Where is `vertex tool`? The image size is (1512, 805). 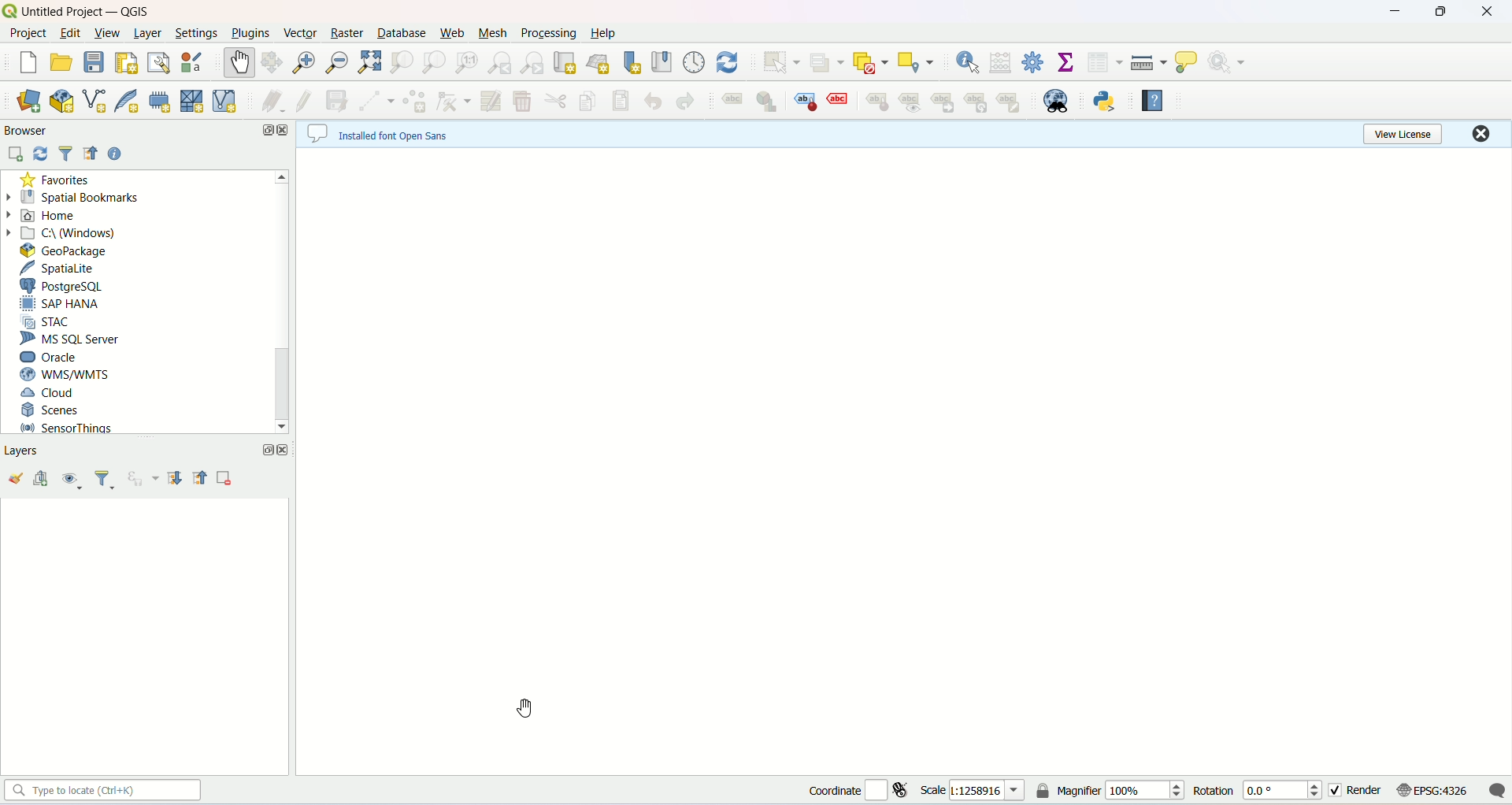 vertex tool is located at coordinates (453, 100).